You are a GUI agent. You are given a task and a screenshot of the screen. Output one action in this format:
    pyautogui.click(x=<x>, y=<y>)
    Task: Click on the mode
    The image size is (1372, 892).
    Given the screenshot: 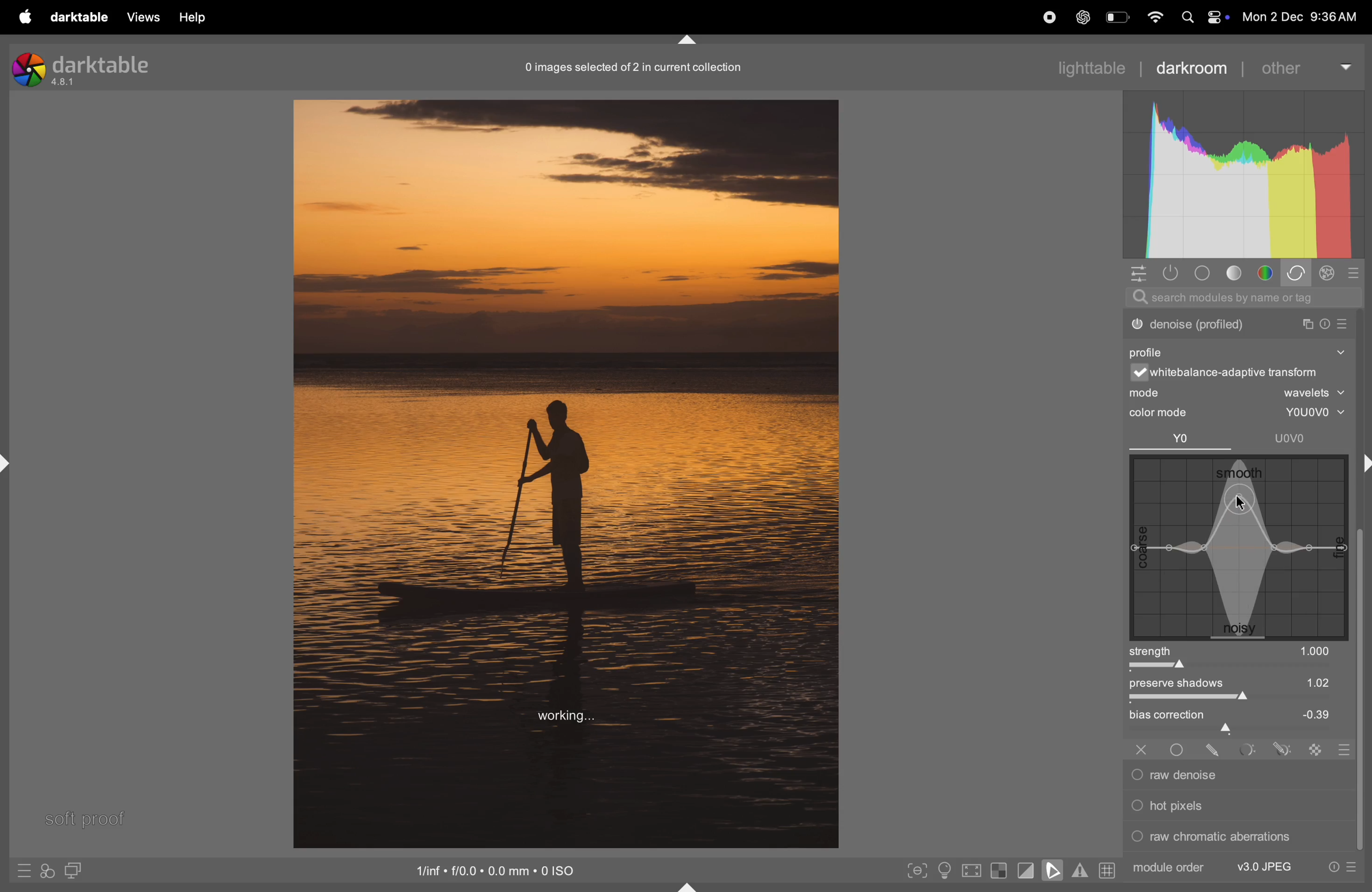 What is the action you would take?
    pyautogui.click(x=1239, y=394)
    